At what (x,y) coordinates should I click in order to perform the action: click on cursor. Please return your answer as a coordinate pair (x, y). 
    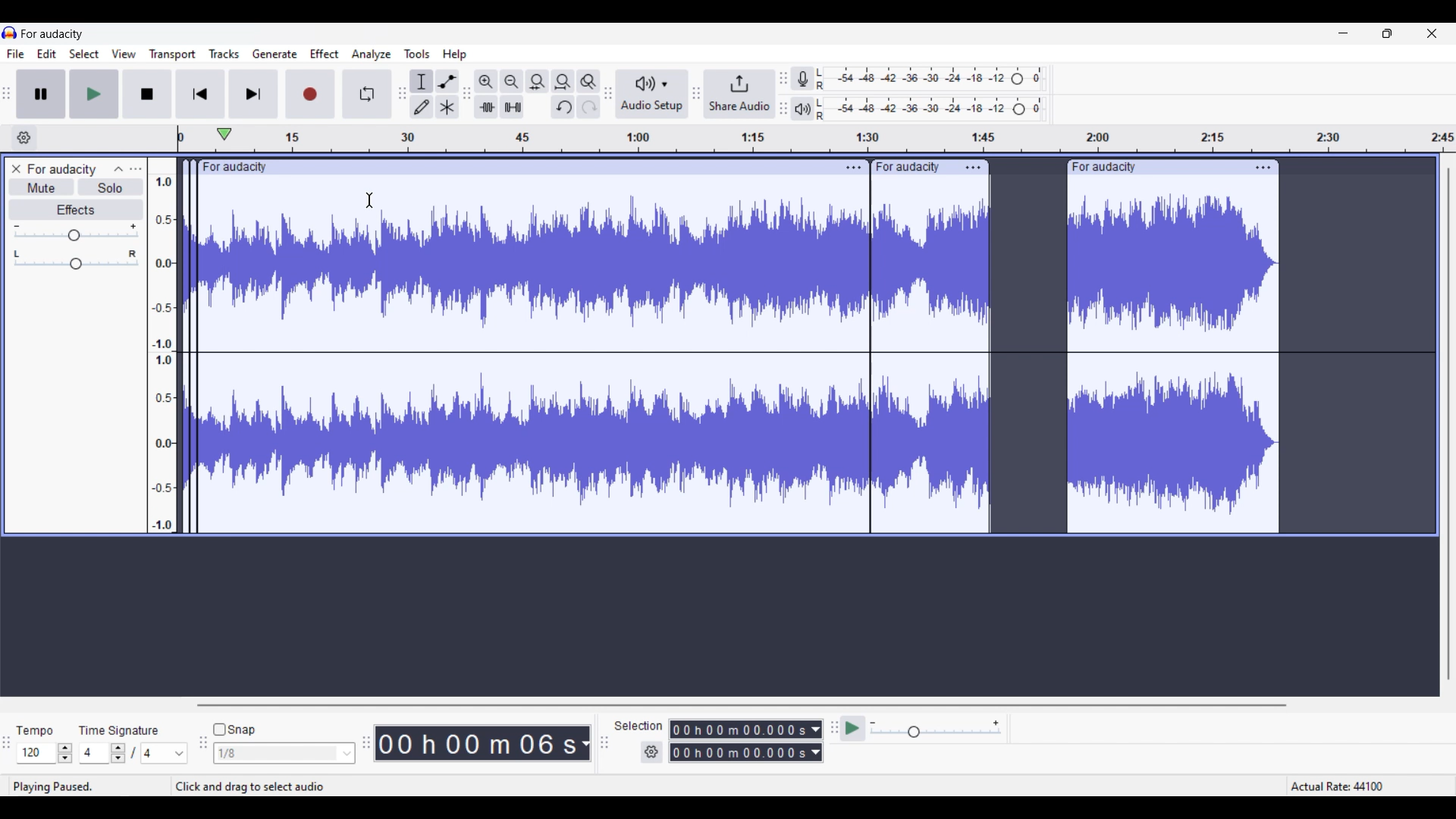
    Looking at the image, I should click on (371, 201).